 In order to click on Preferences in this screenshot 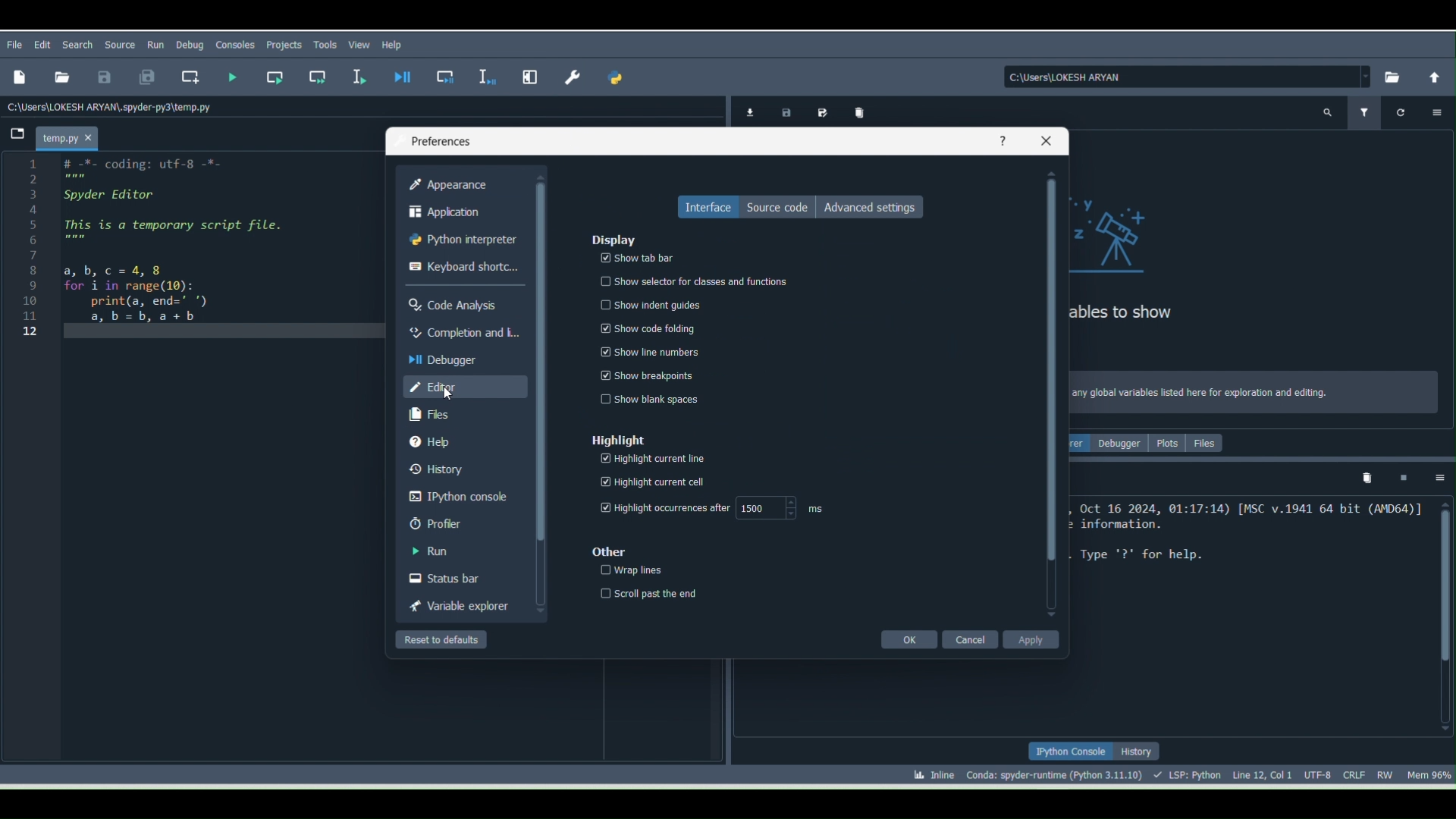, I will do `click(440, 134)`.